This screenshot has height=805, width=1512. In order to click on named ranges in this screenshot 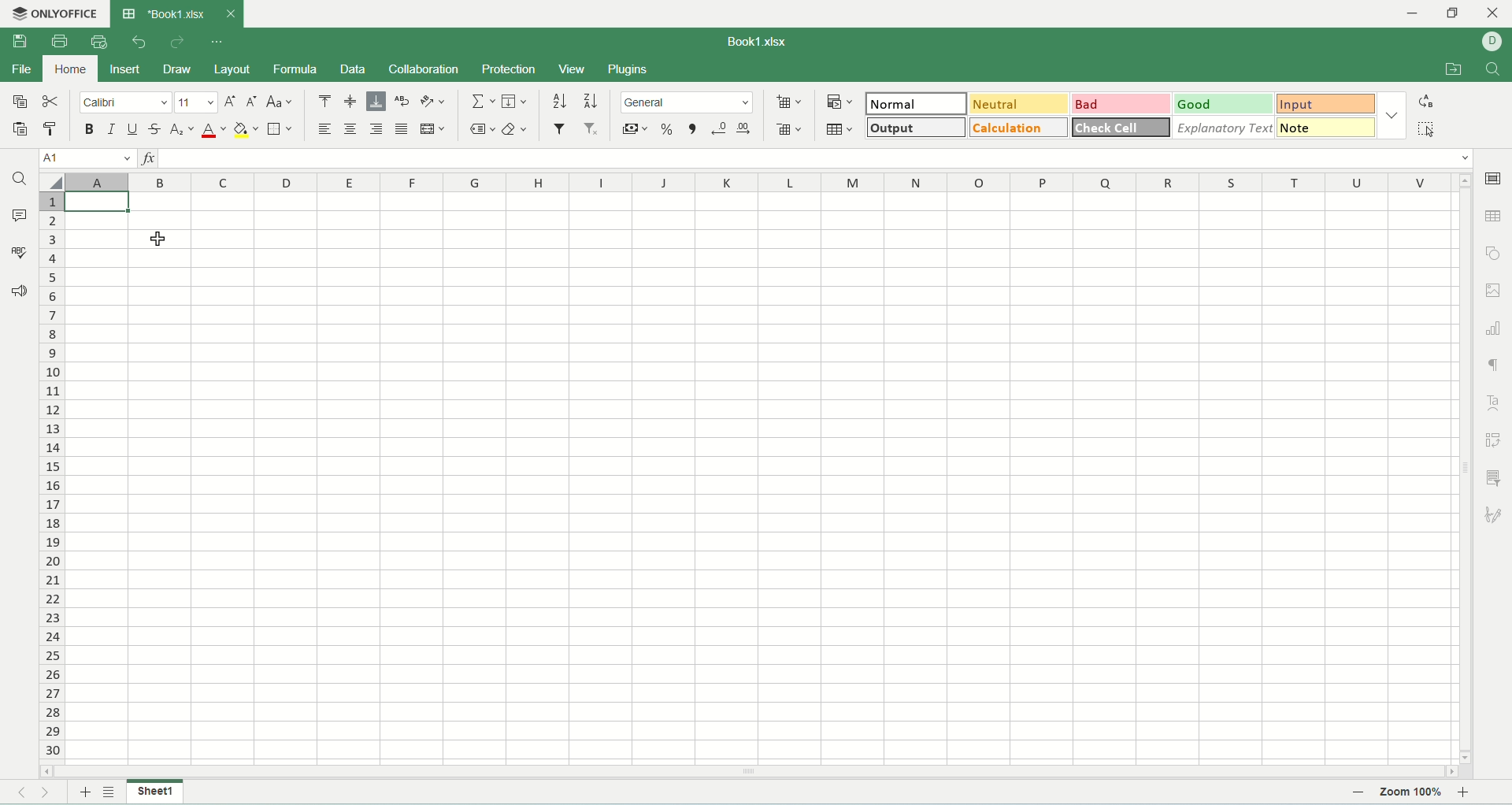, I will do `click(483, 129)`.